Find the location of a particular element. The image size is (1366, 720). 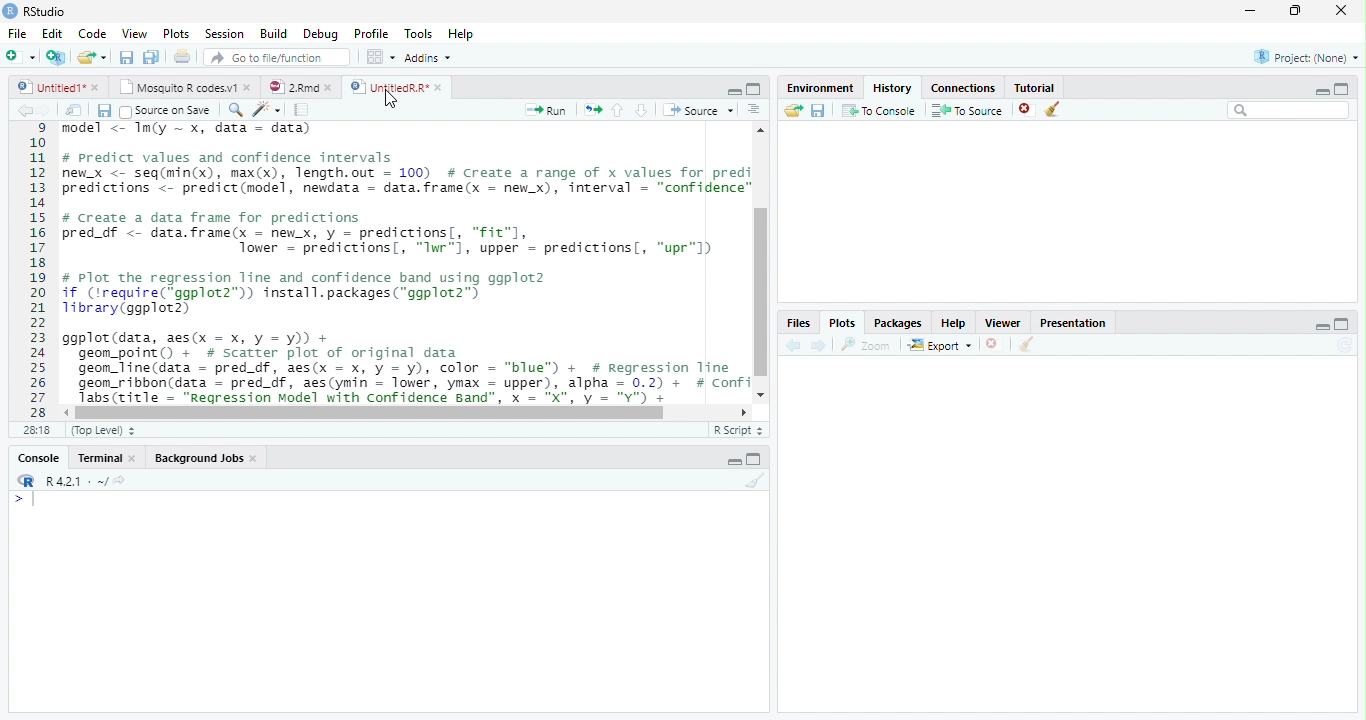

Back is located at coordinates (789, 346).